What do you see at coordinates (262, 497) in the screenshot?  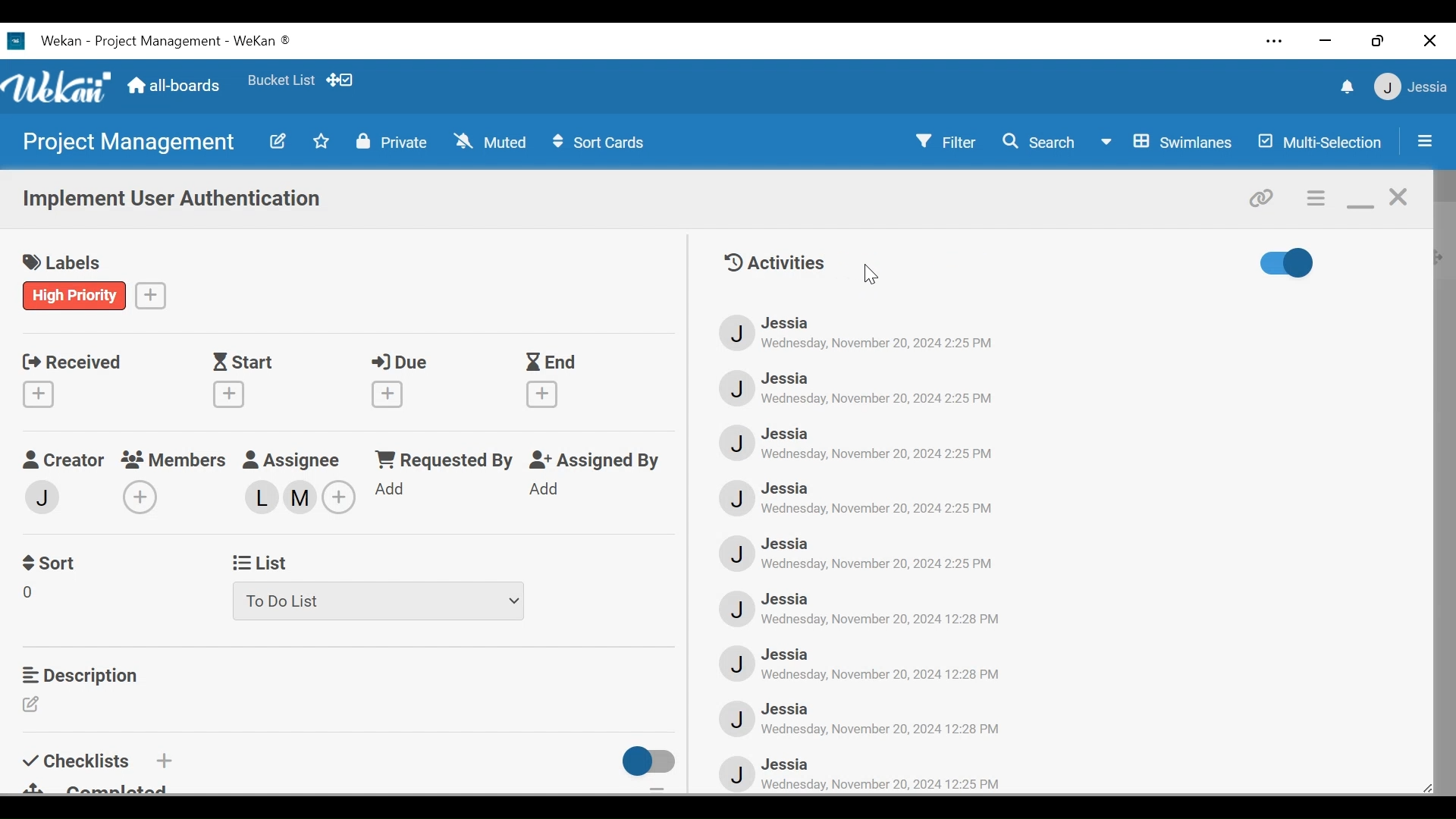 I see `Assigned members` at bounding box center [262, 497].